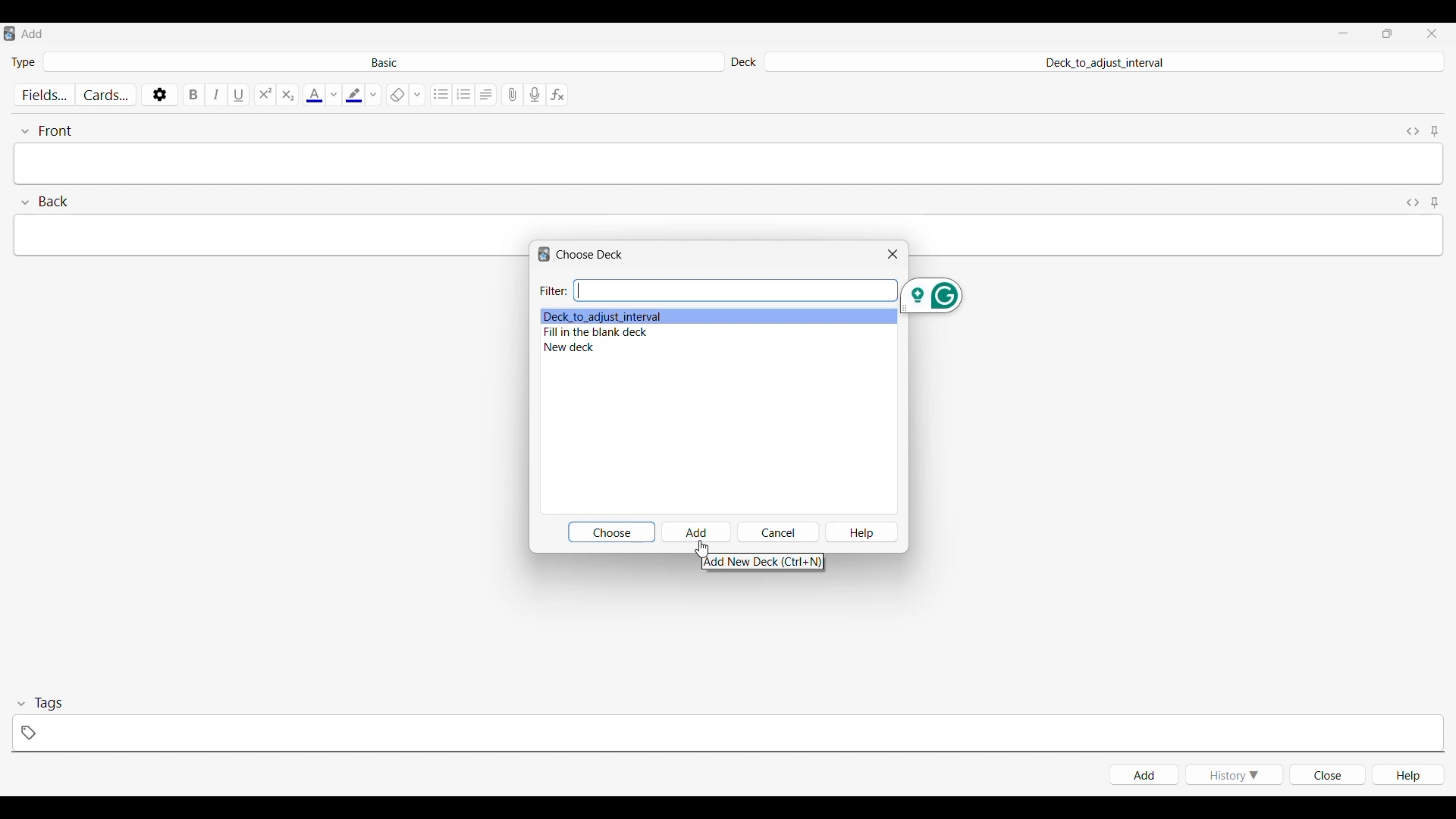 The height and width of the screenshot is (819, 1456). Describe the element at coordinates (892, 254) in the screenshot. I see `Close window` at that location.